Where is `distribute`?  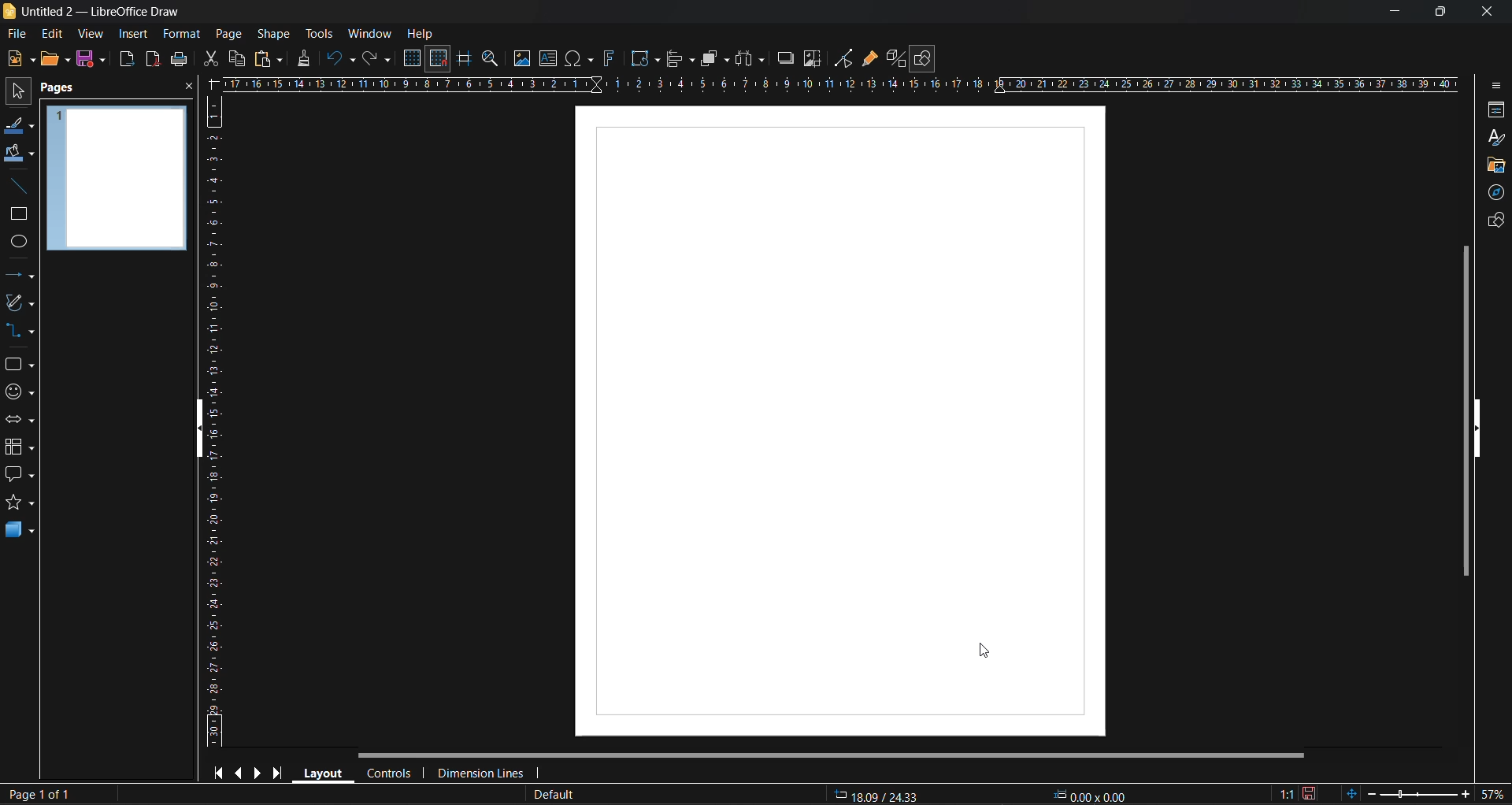 distribute is located at coordinates (754, 58).